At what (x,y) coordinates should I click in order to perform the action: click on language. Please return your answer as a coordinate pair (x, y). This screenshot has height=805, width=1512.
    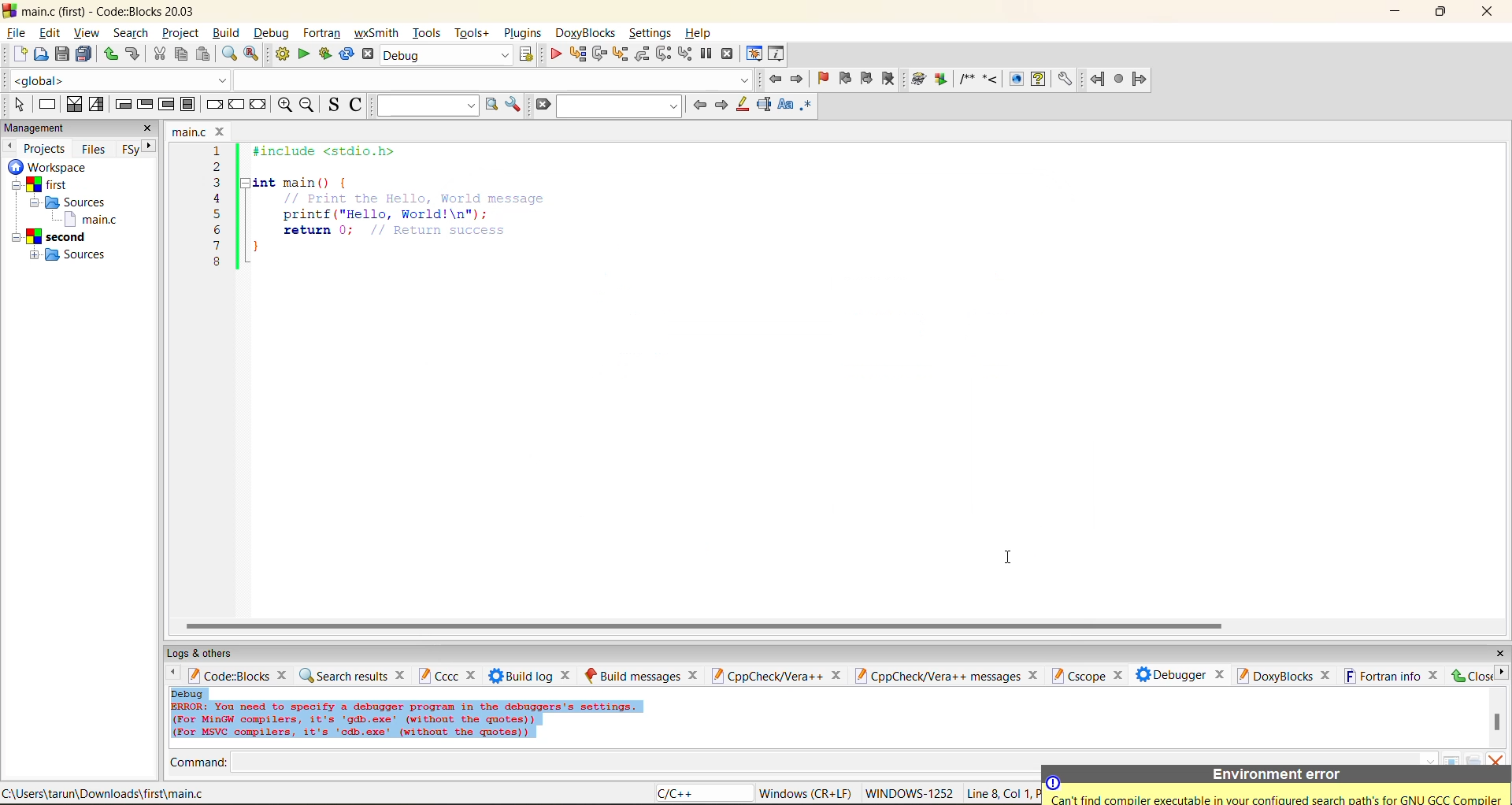
    Looking at the image, I should click on (702, 794).